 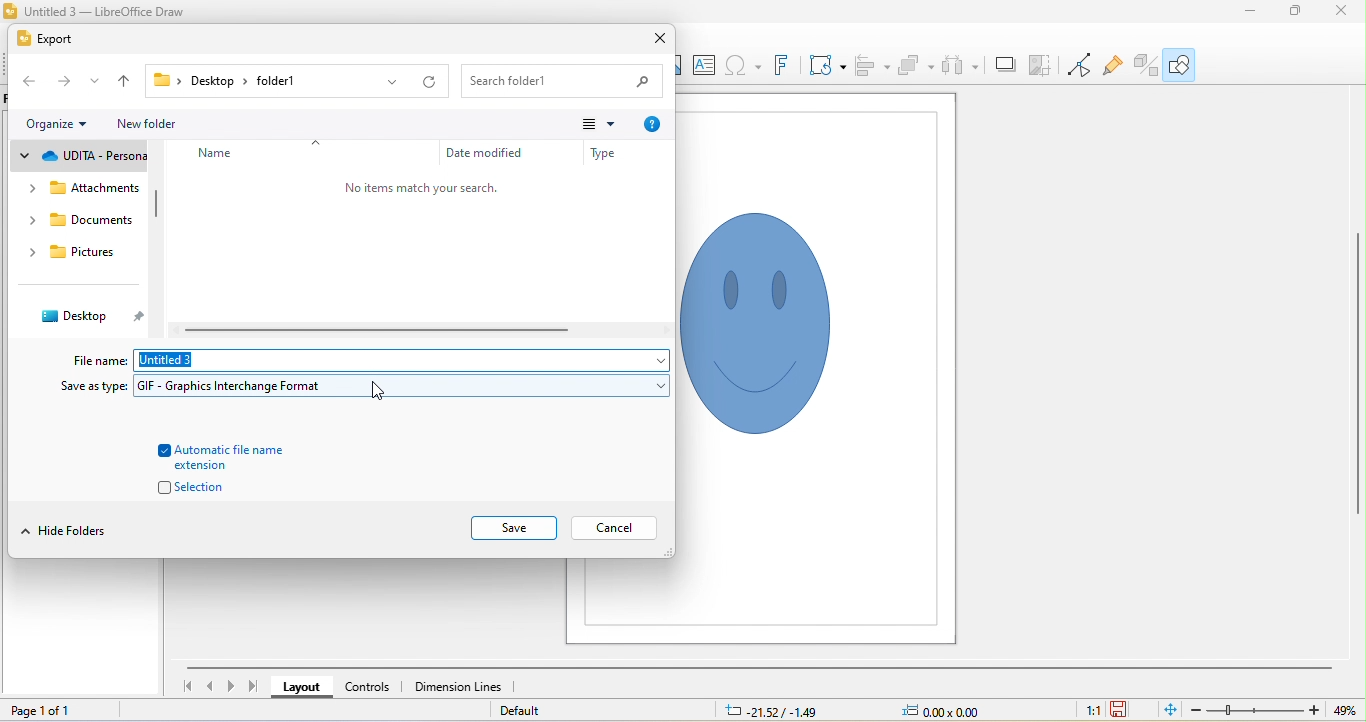 I want to click on align objects, so click(x=872, y=68).